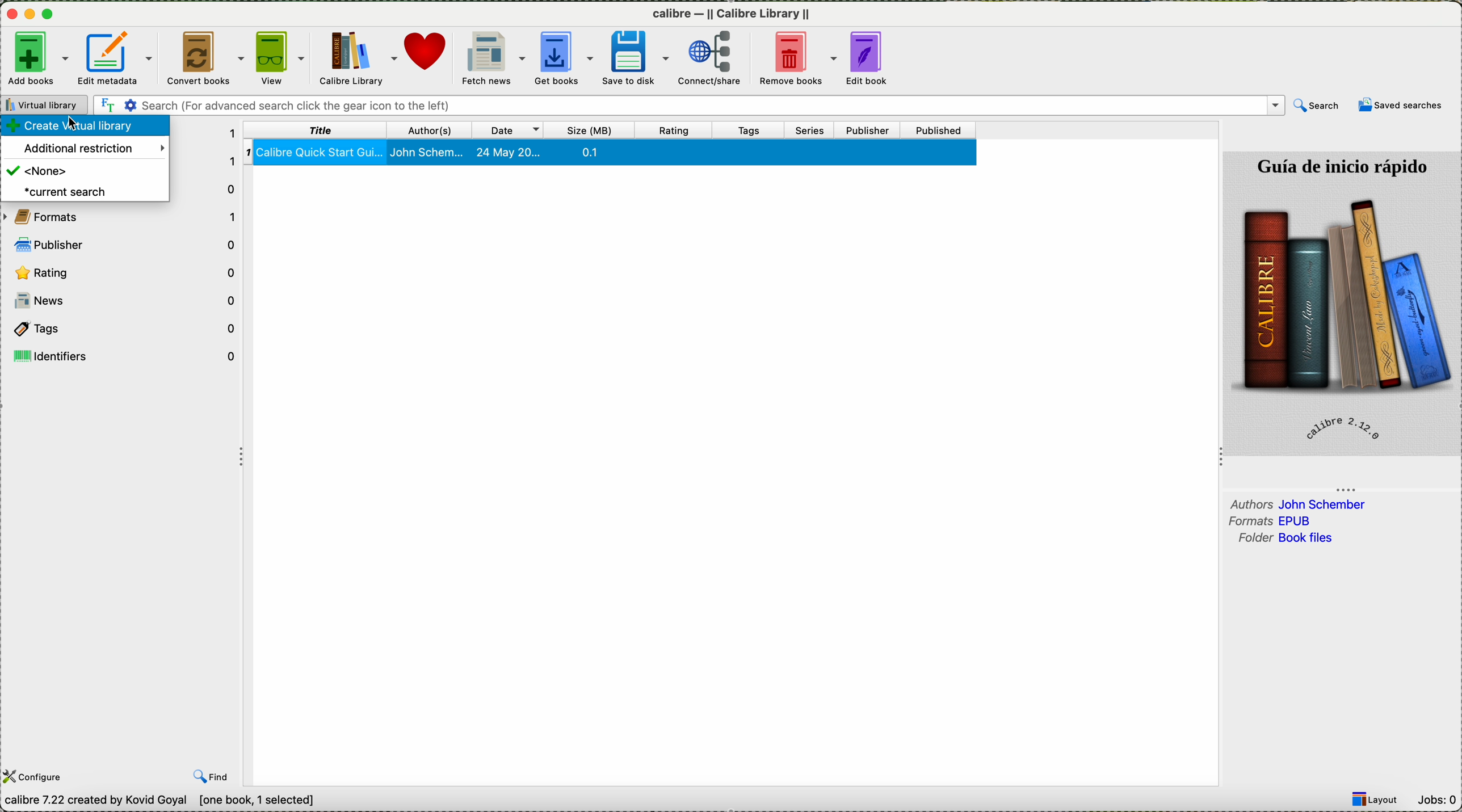 The width and height of the screenshot is (1462, 812). Describe the element at coordinates (593, 129) in the screenshot. I see `size` at that location.